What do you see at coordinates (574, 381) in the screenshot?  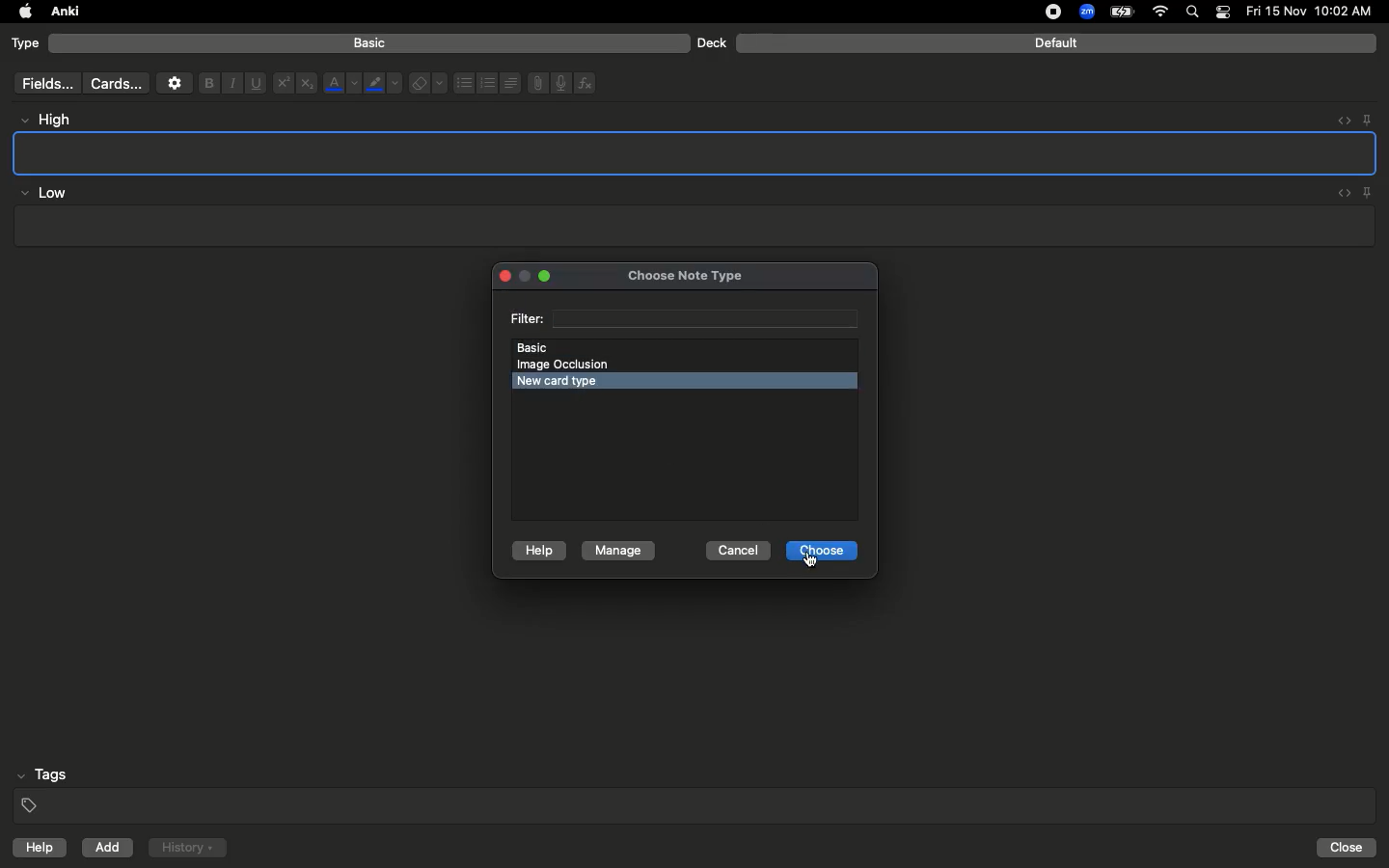 I see `New card type` at bounding box center [574, 381].